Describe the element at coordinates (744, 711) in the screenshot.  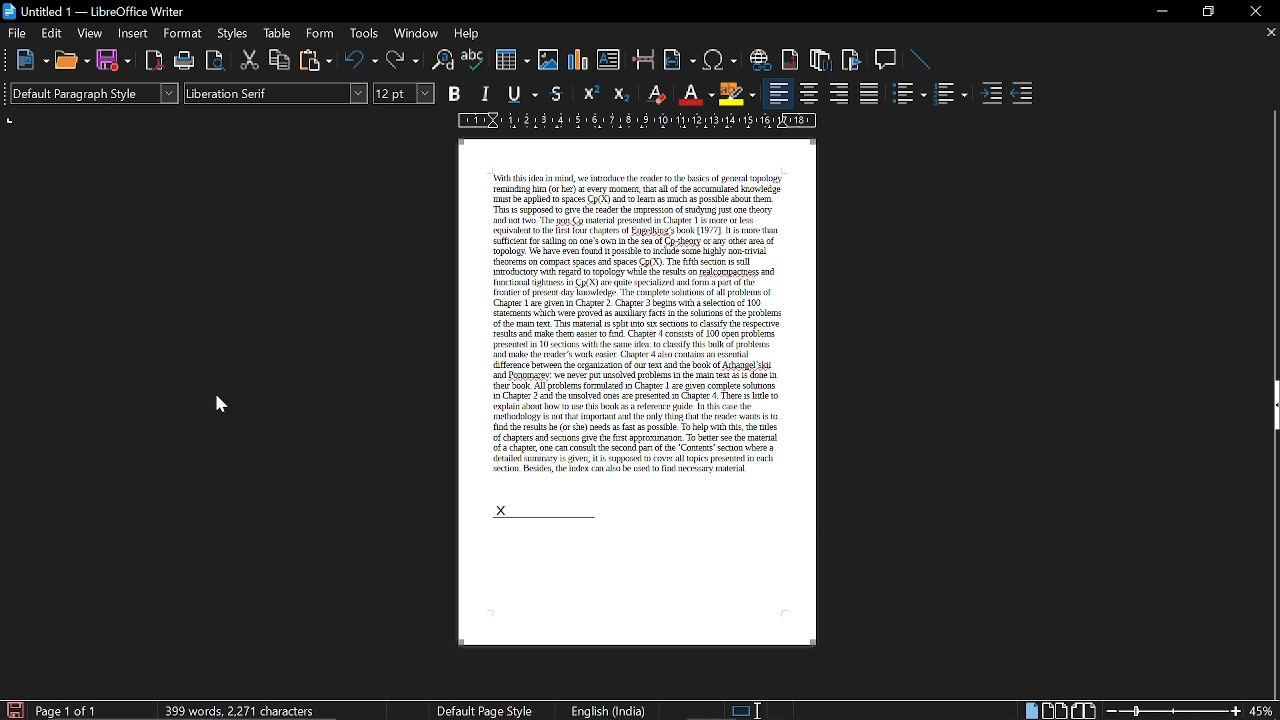
I see `standard selection` at that location.